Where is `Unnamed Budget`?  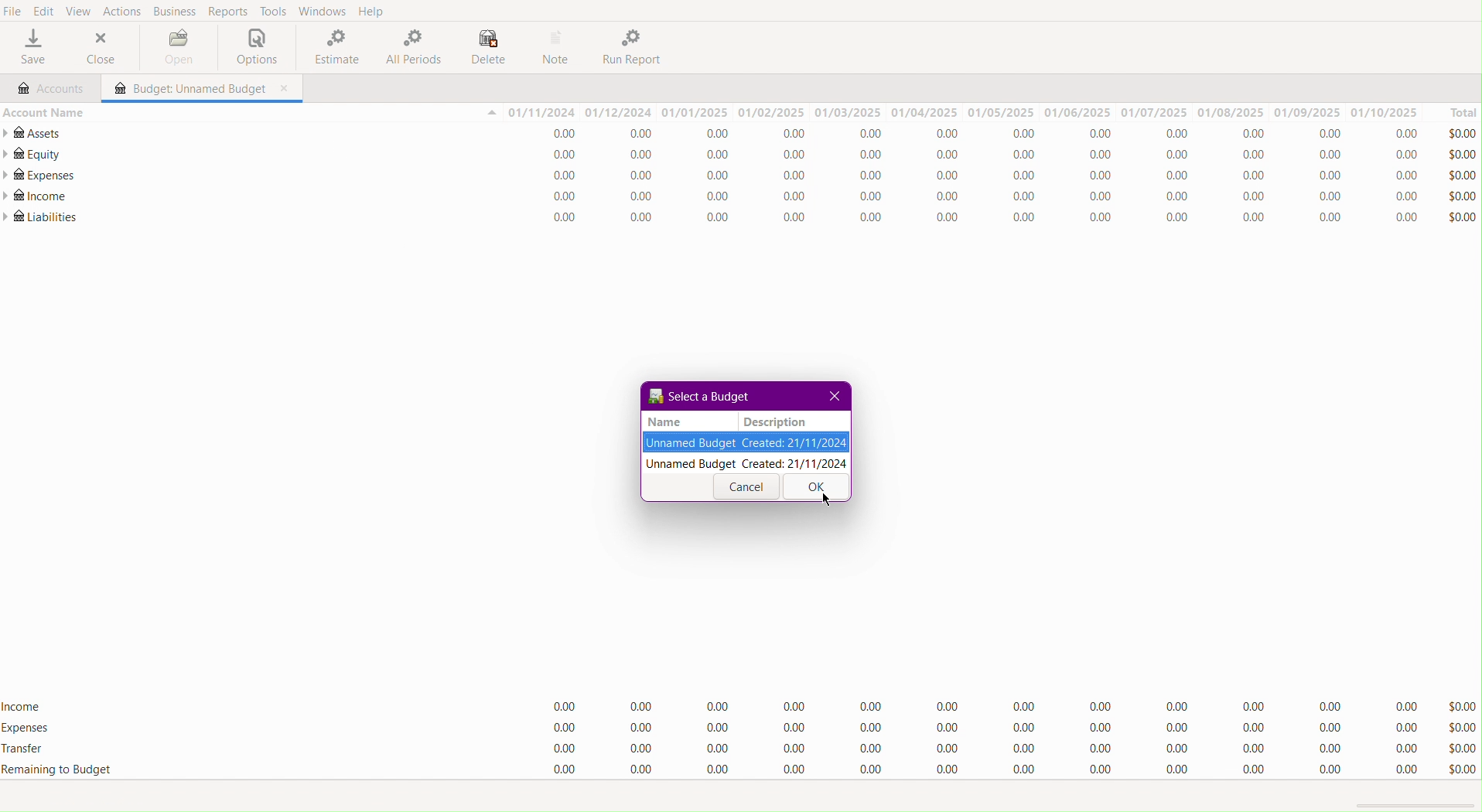 Unnamed Budget is located at coordinates (746, 443).